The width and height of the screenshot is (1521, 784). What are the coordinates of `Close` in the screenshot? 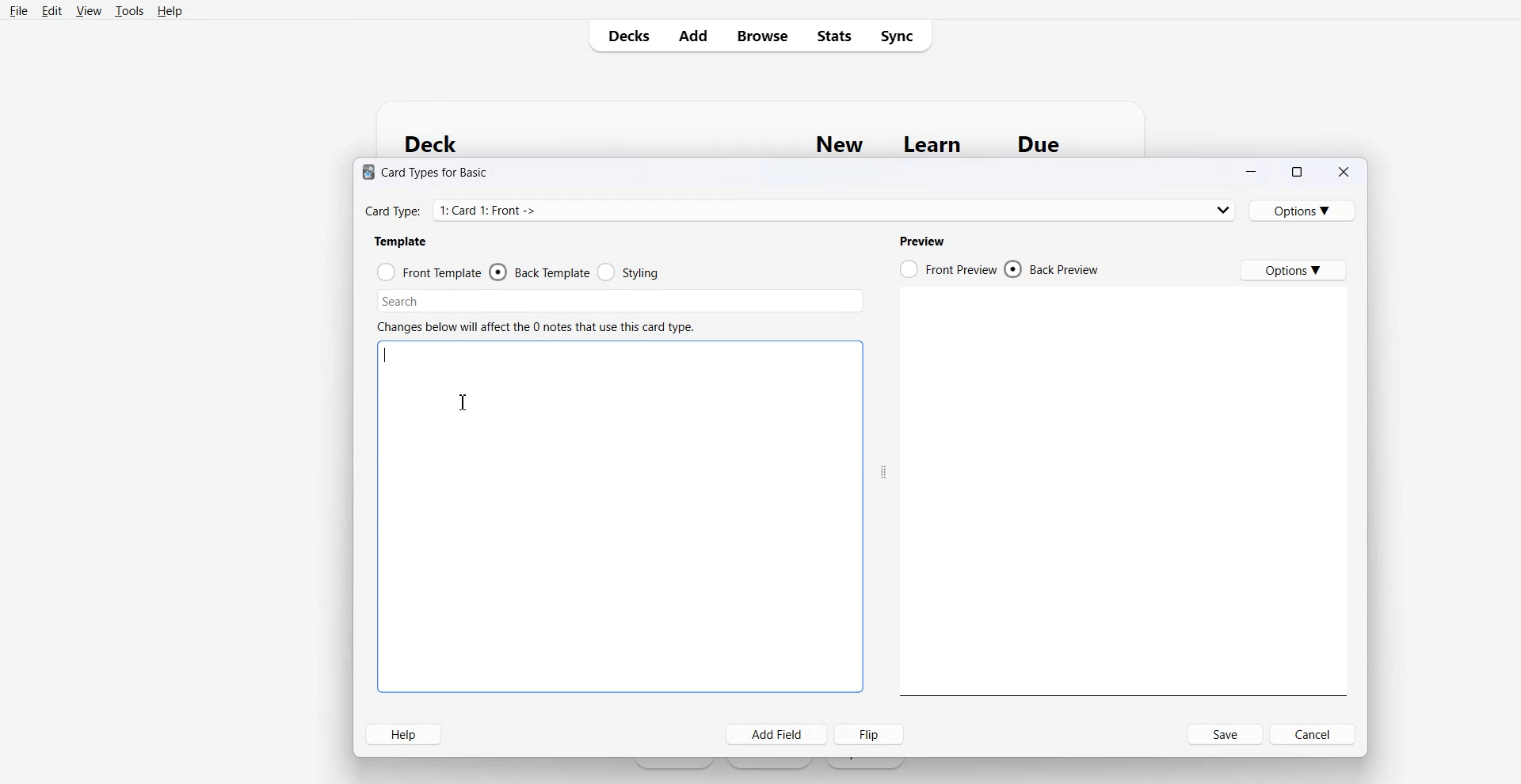 It's located at (1341, 172).